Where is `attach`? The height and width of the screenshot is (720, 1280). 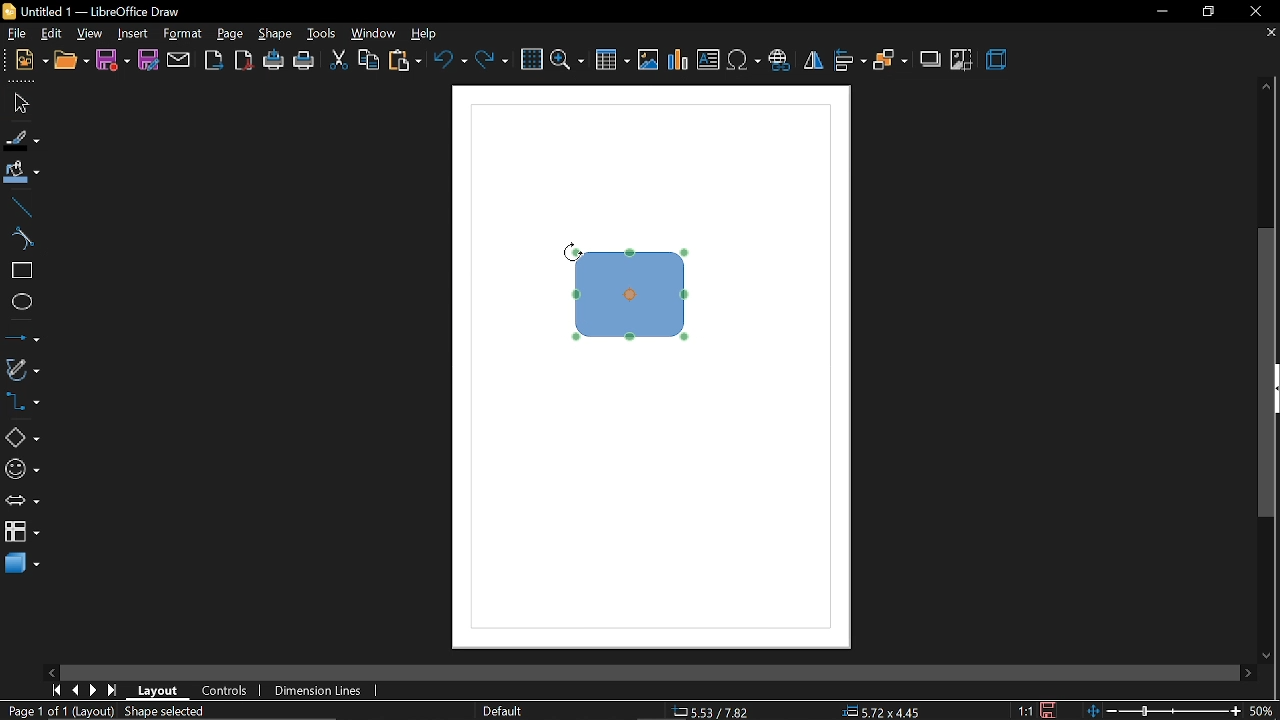
attach is located at coordinates (178, 59).